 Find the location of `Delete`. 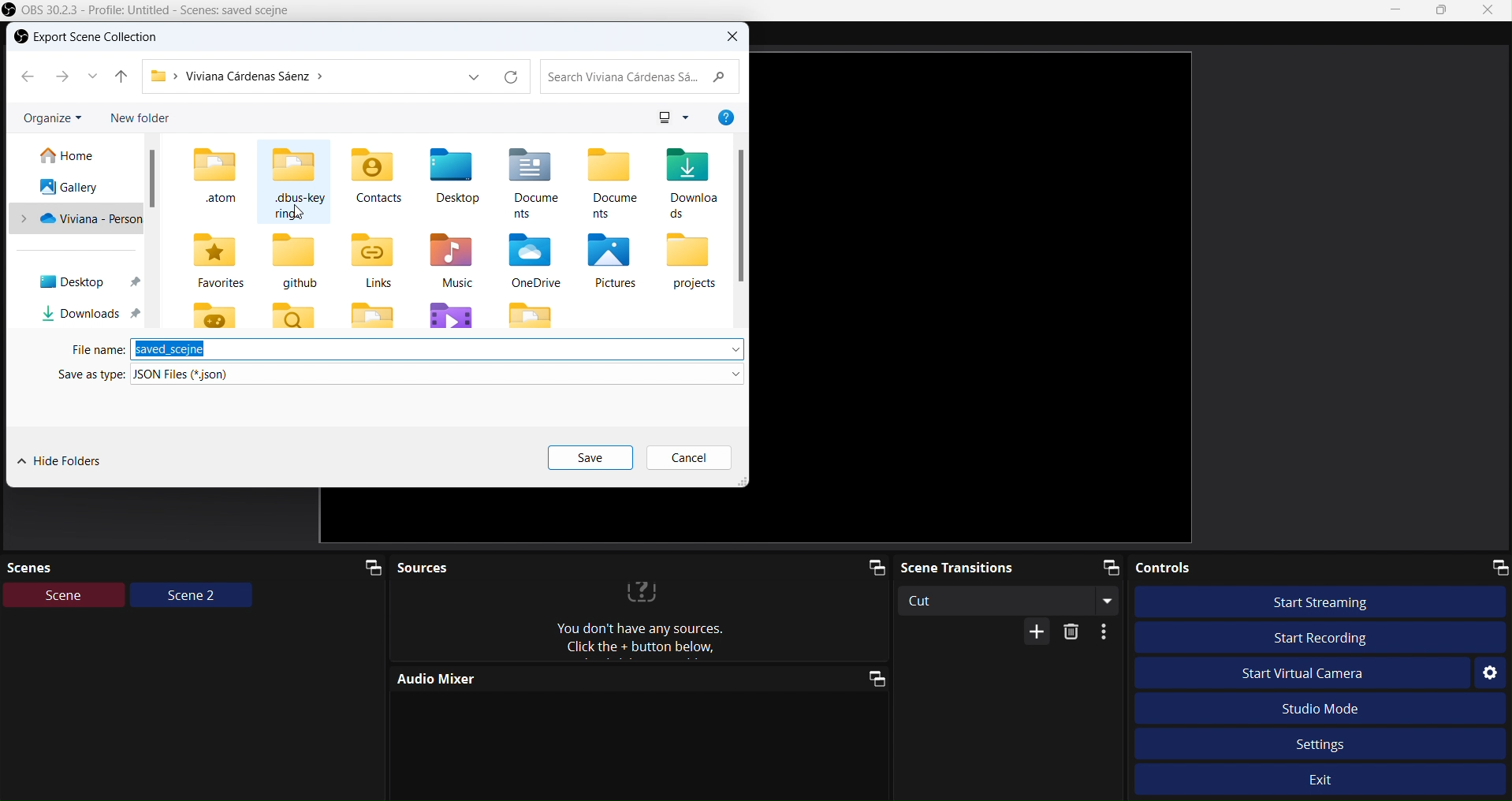

Delete is located at coordinates (1071, 633).